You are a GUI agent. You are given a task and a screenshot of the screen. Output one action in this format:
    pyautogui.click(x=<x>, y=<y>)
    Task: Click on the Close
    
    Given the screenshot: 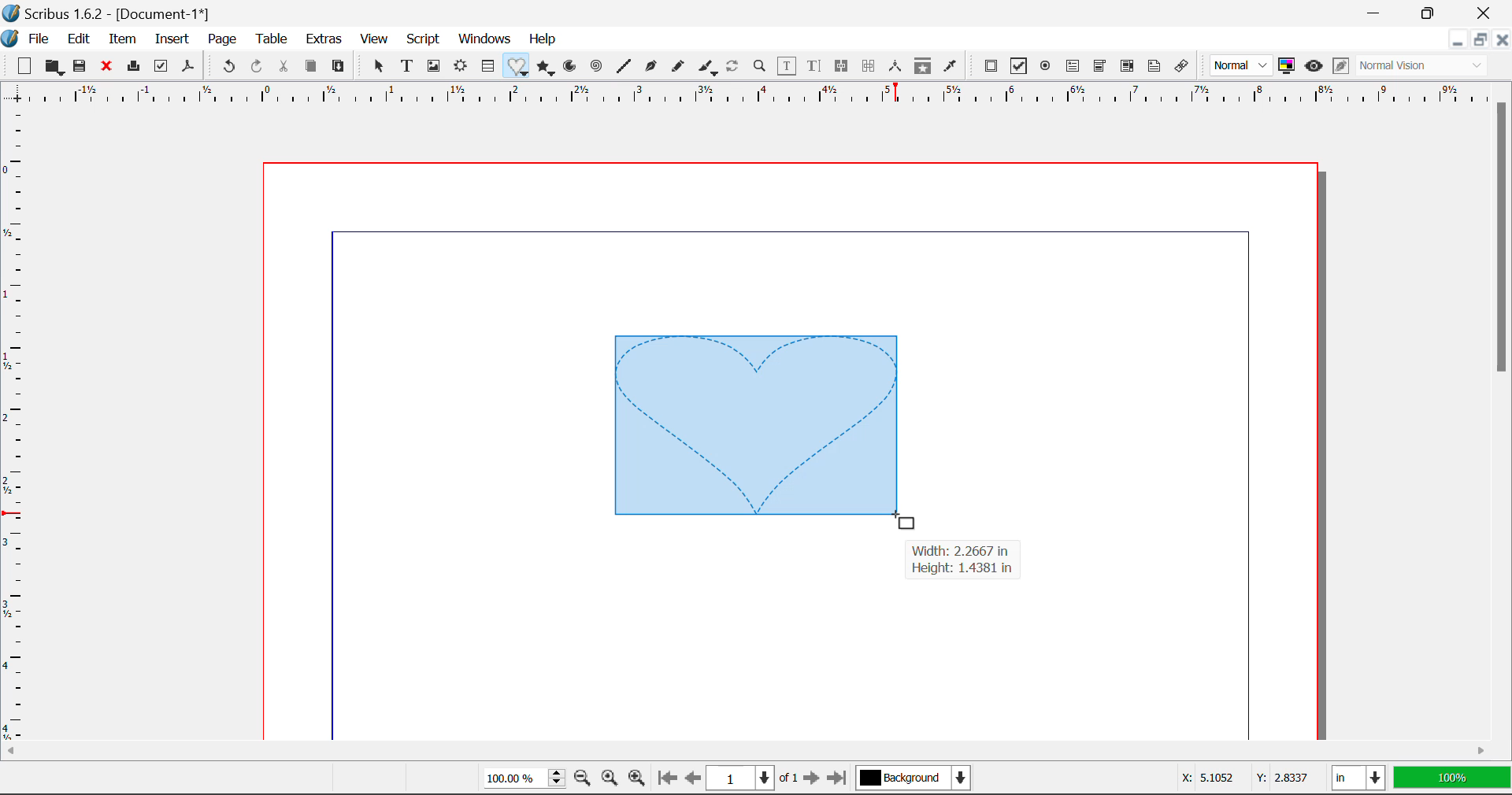 What is the action you would take?
    pyautogui.click(x=109, y=68)
    